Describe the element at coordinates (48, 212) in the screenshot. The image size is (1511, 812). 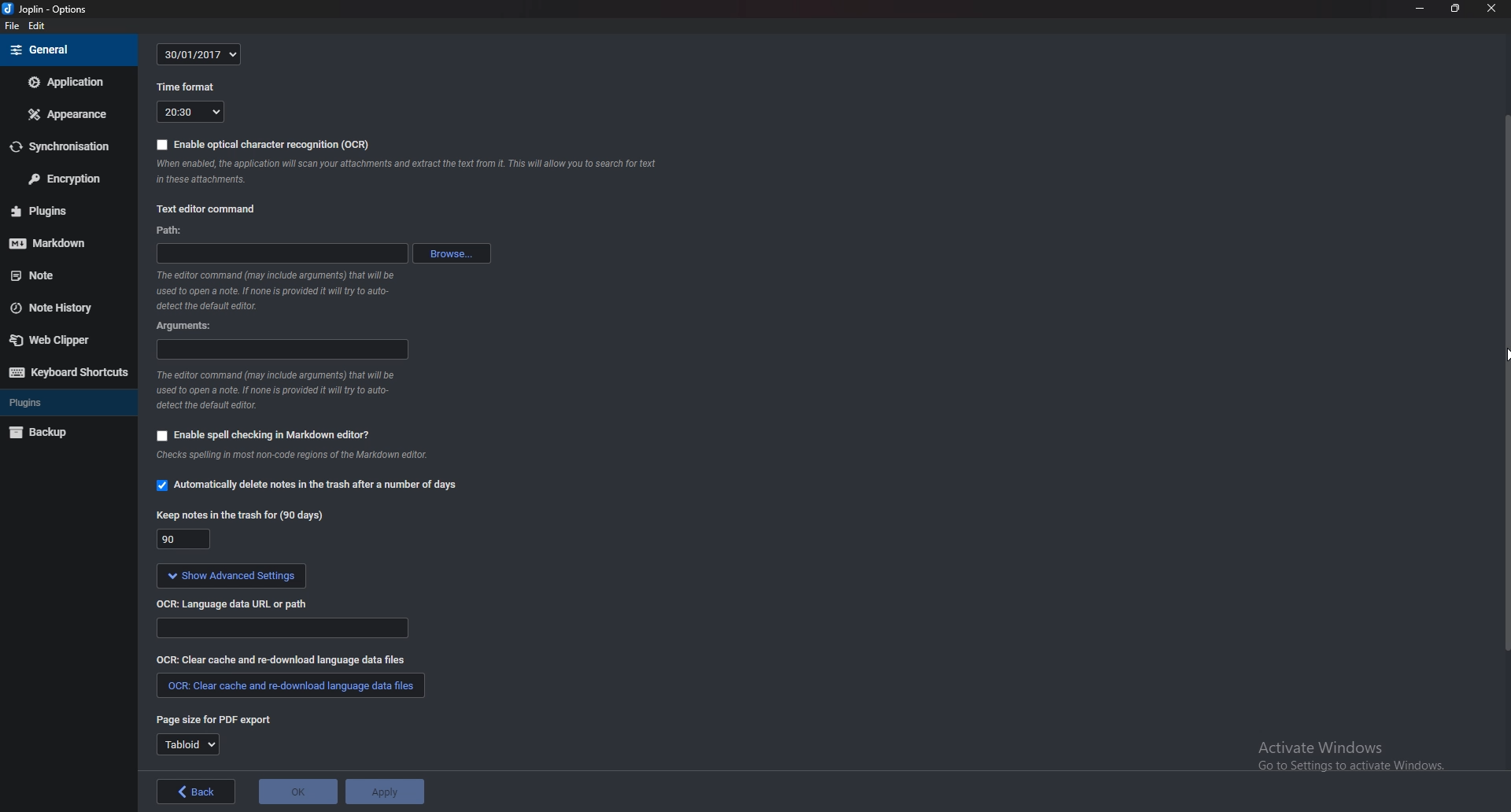
I see `Plugins` at that location.